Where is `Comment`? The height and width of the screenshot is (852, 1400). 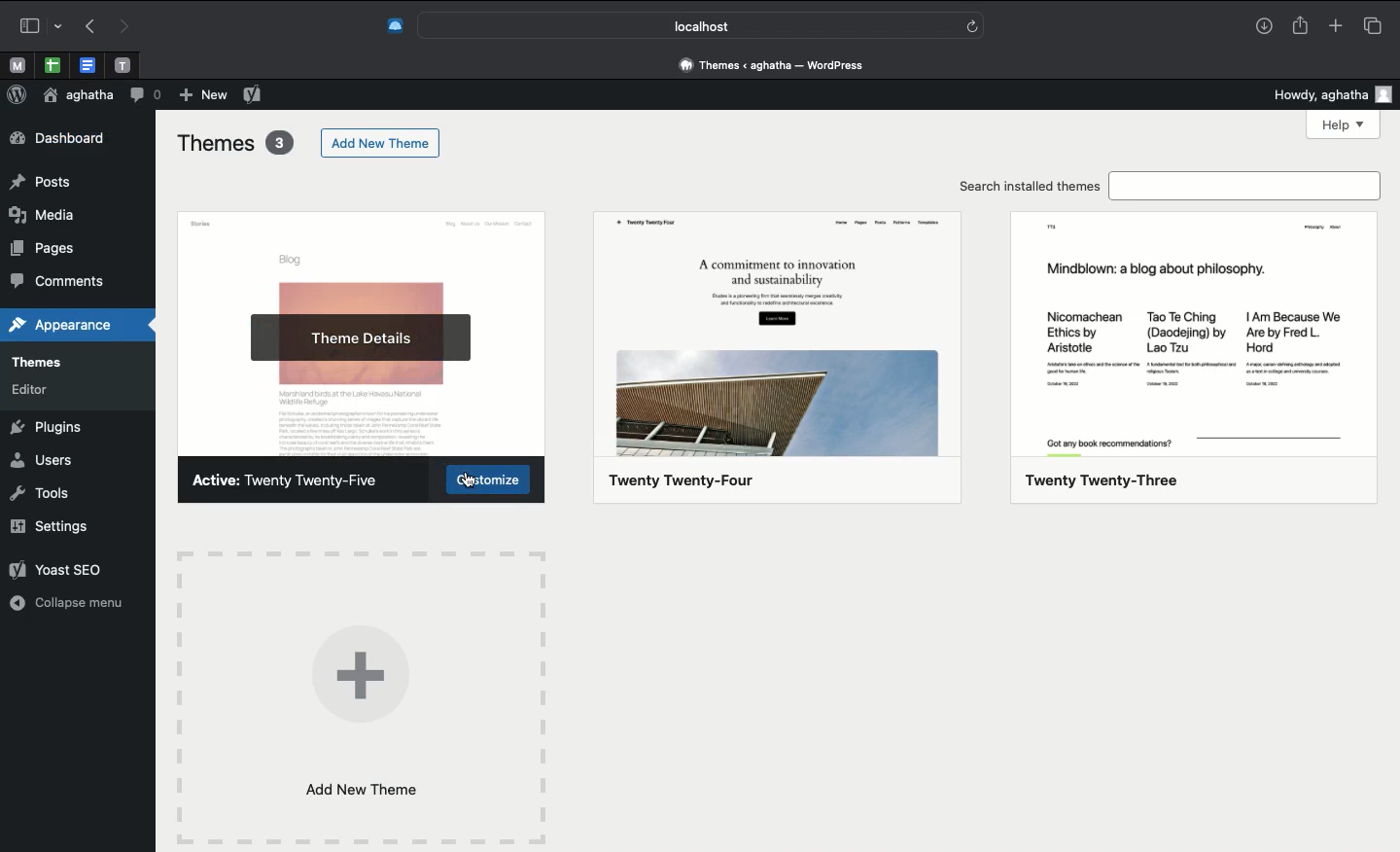
Comment is located at coordinates (145, 93).